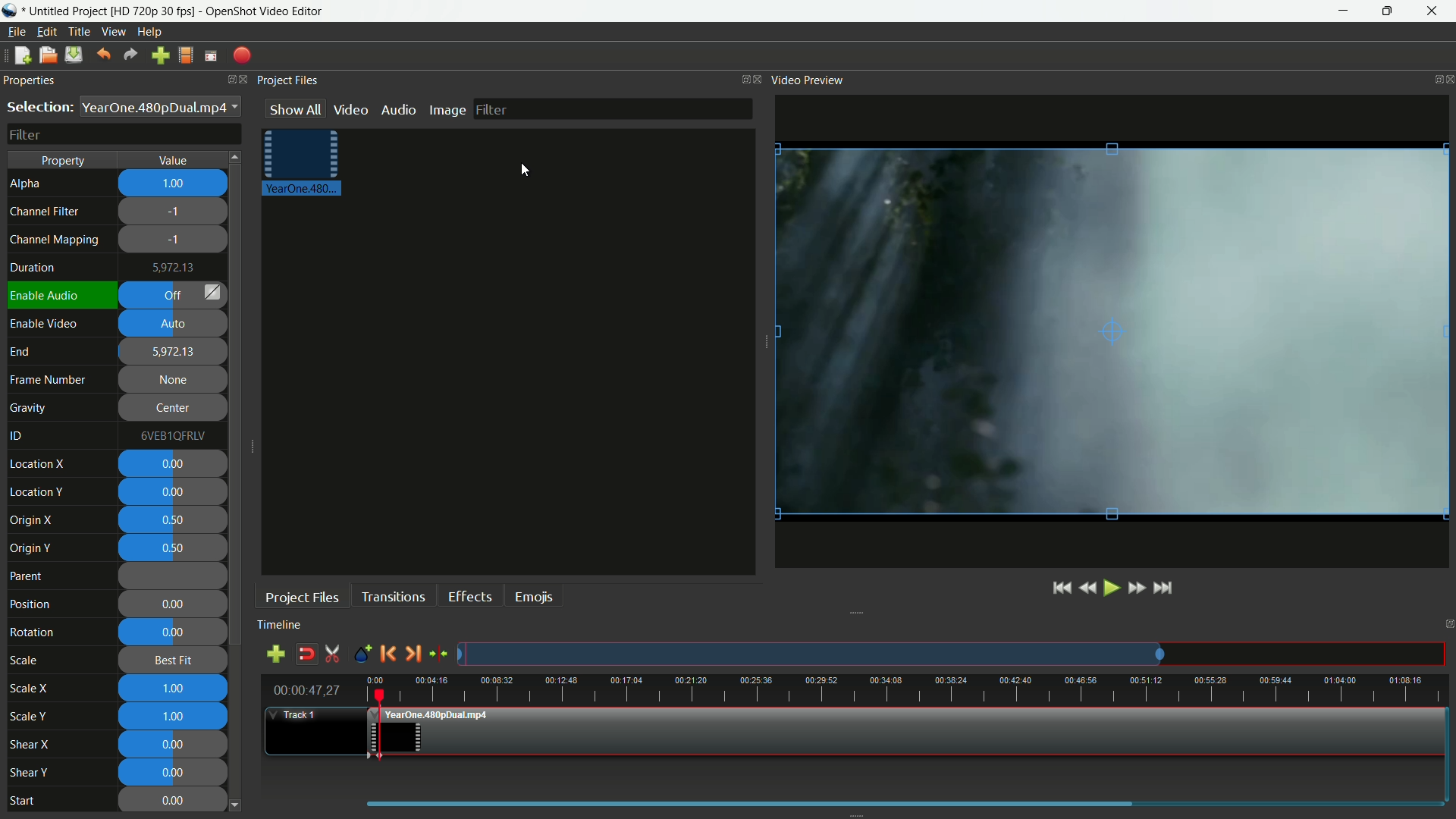  I want to click on Start, so click(33, 802).